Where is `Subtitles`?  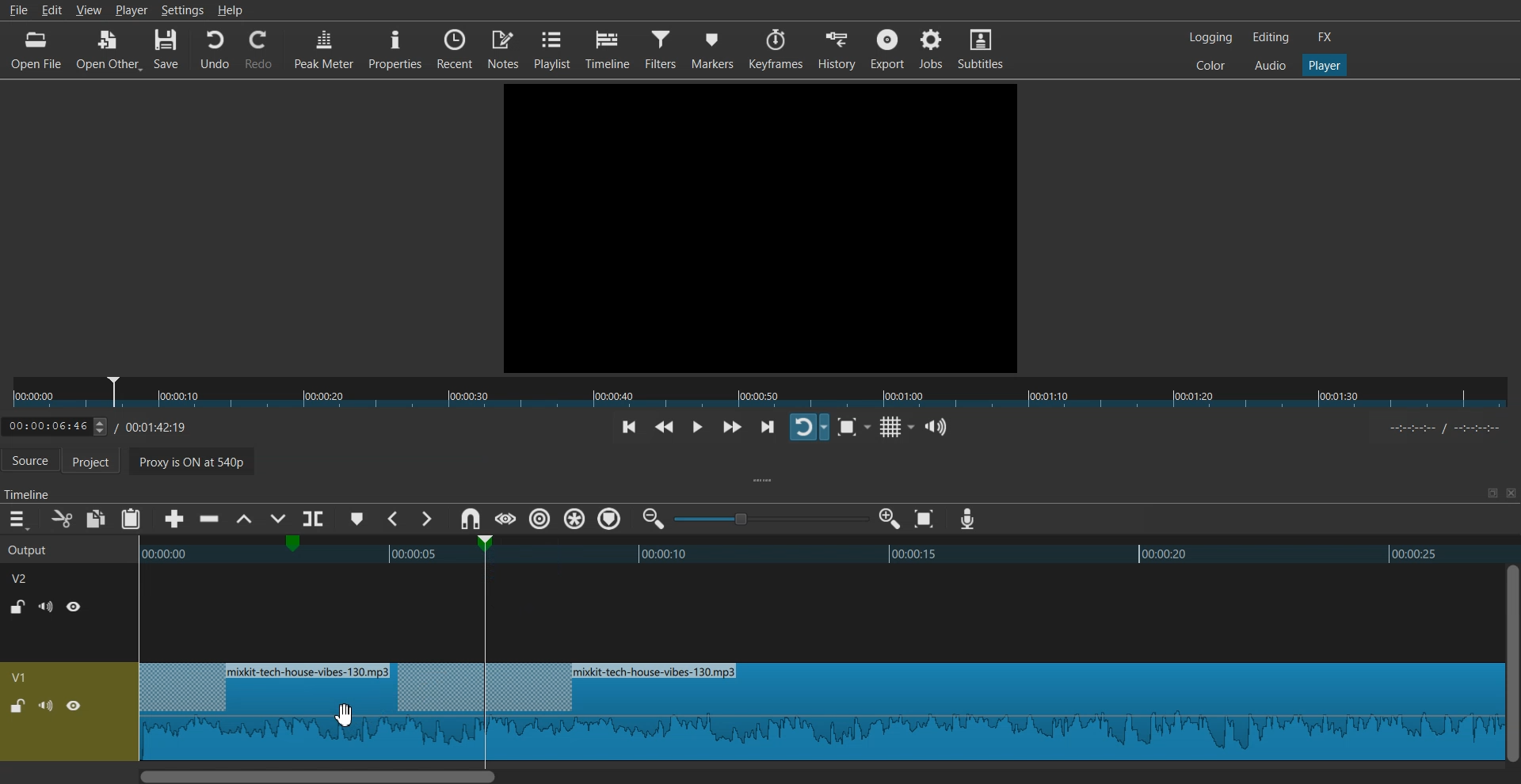
Subtitles is located at coordinates (981, 48).